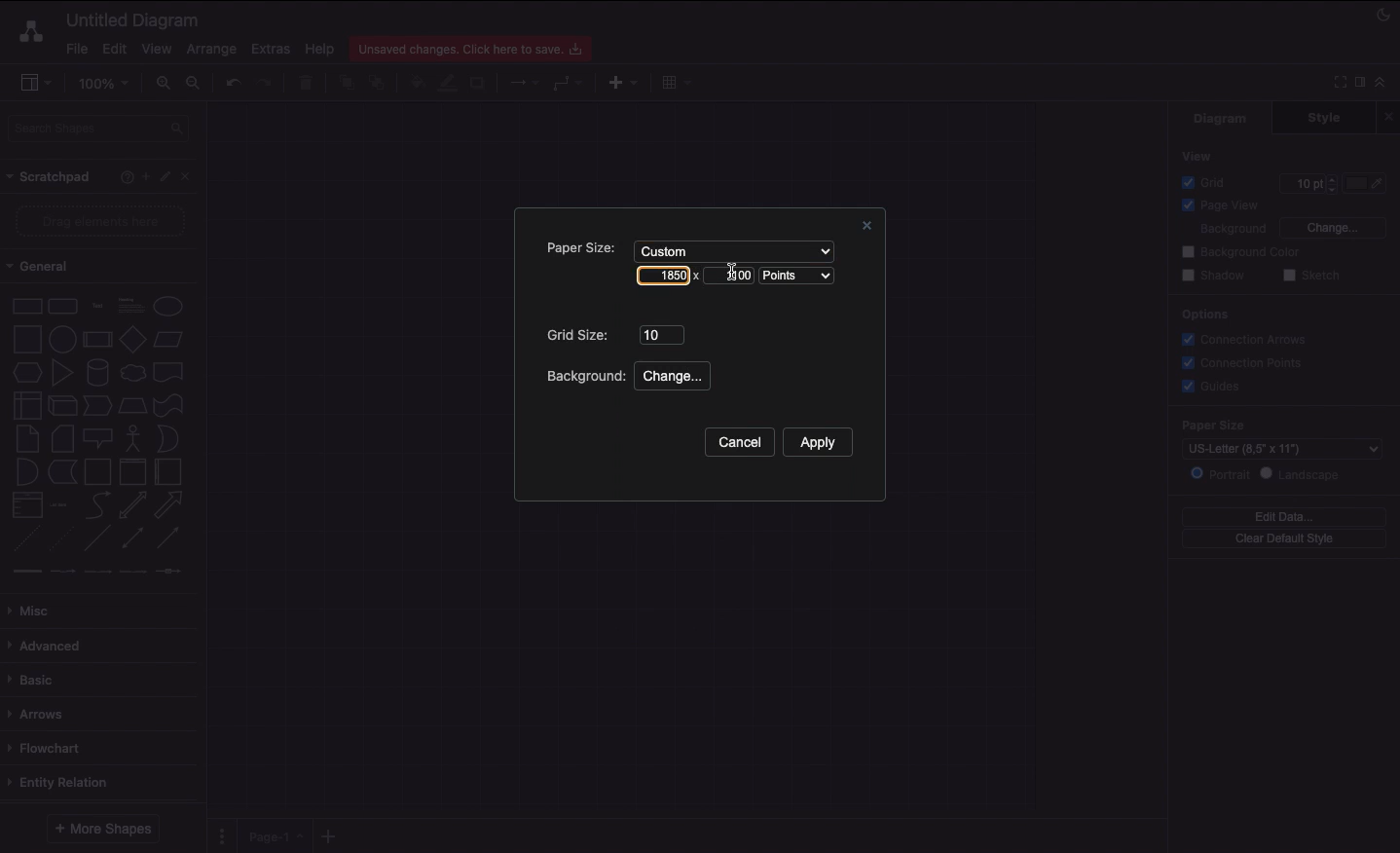 This screenshot has height=853, width=1400. Describe the element at coordinates (730, 274) in the screenshot. I see `1100` at that location.